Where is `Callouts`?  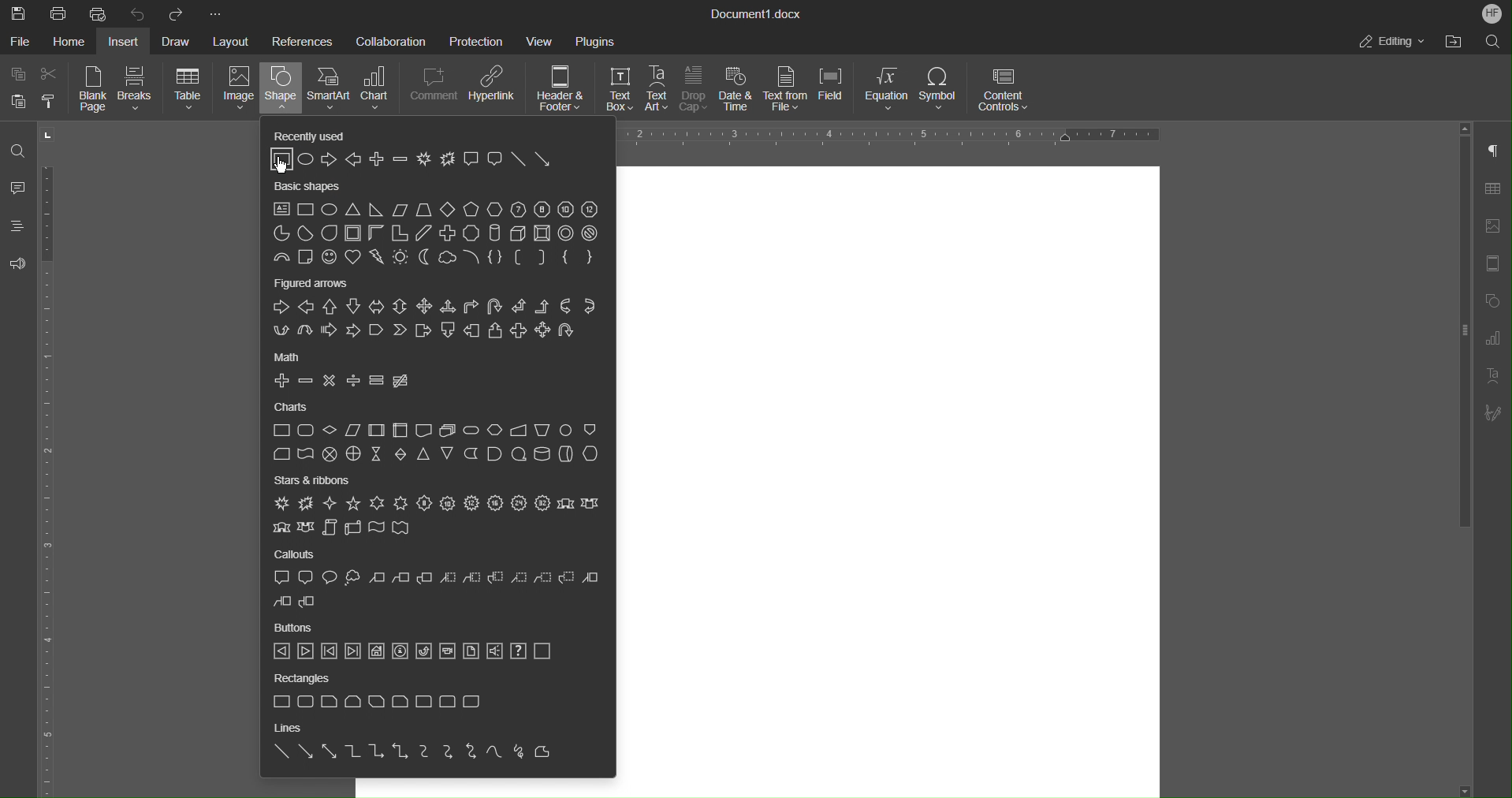 Callouts is located at coordinates (296, 555).